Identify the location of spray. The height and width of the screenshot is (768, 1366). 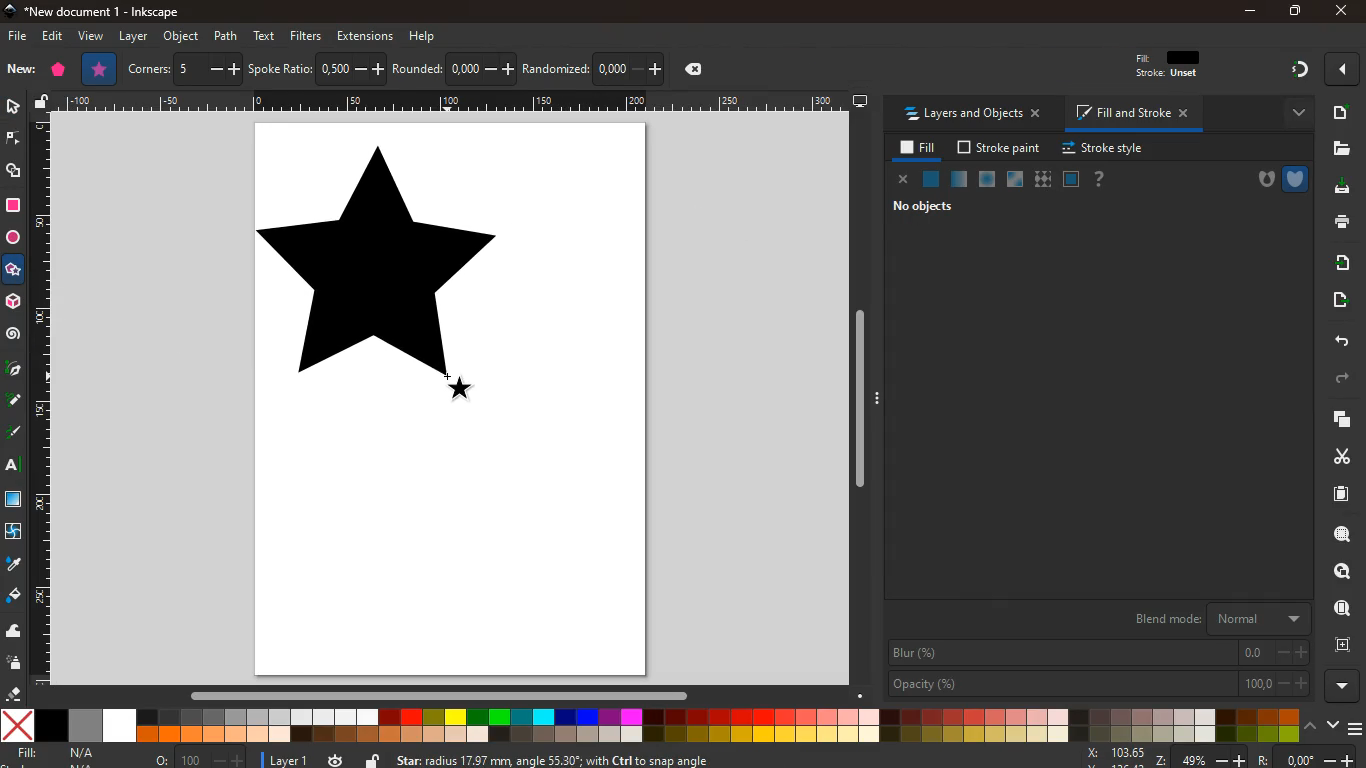
(14, 662).